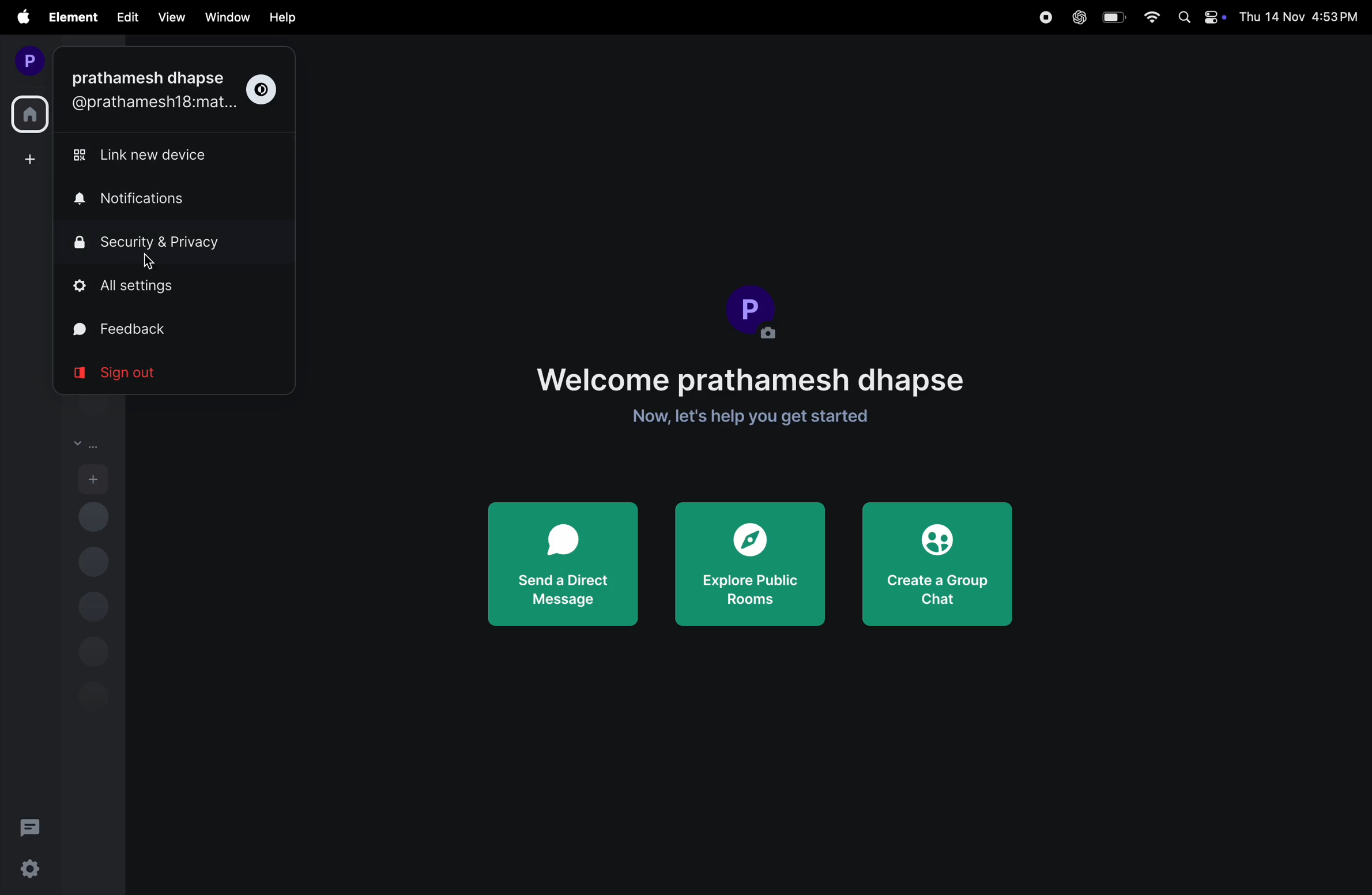  I want to click on notifications, so click(148, 200).